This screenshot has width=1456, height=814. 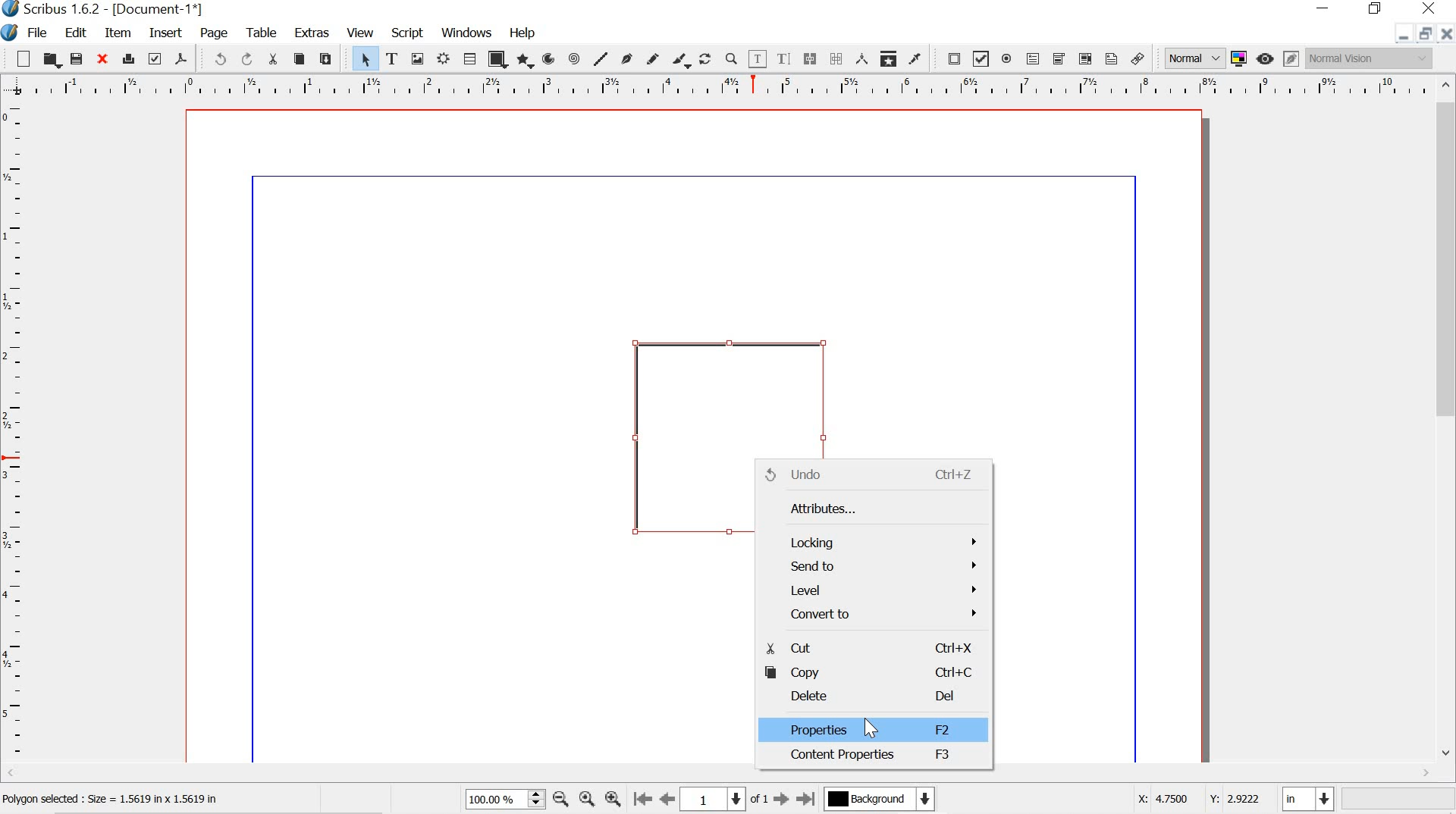 What do you see at coordinates (877, 474) in the screenshot?
I see `undo Ctrl+Z` at bounding box center [877, 474].